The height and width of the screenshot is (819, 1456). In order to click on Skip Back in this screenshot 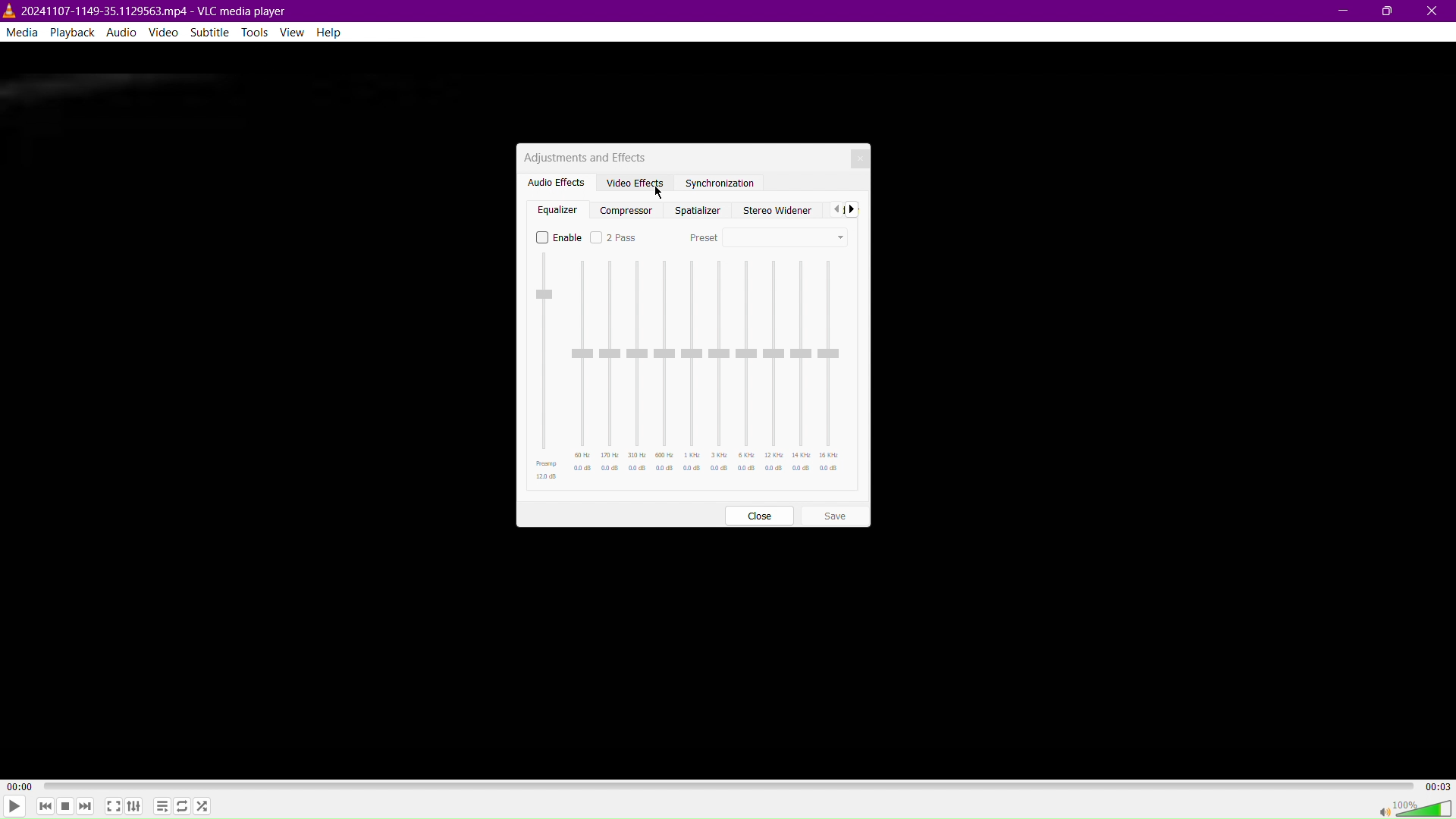, I will do `click(44, 807)`.